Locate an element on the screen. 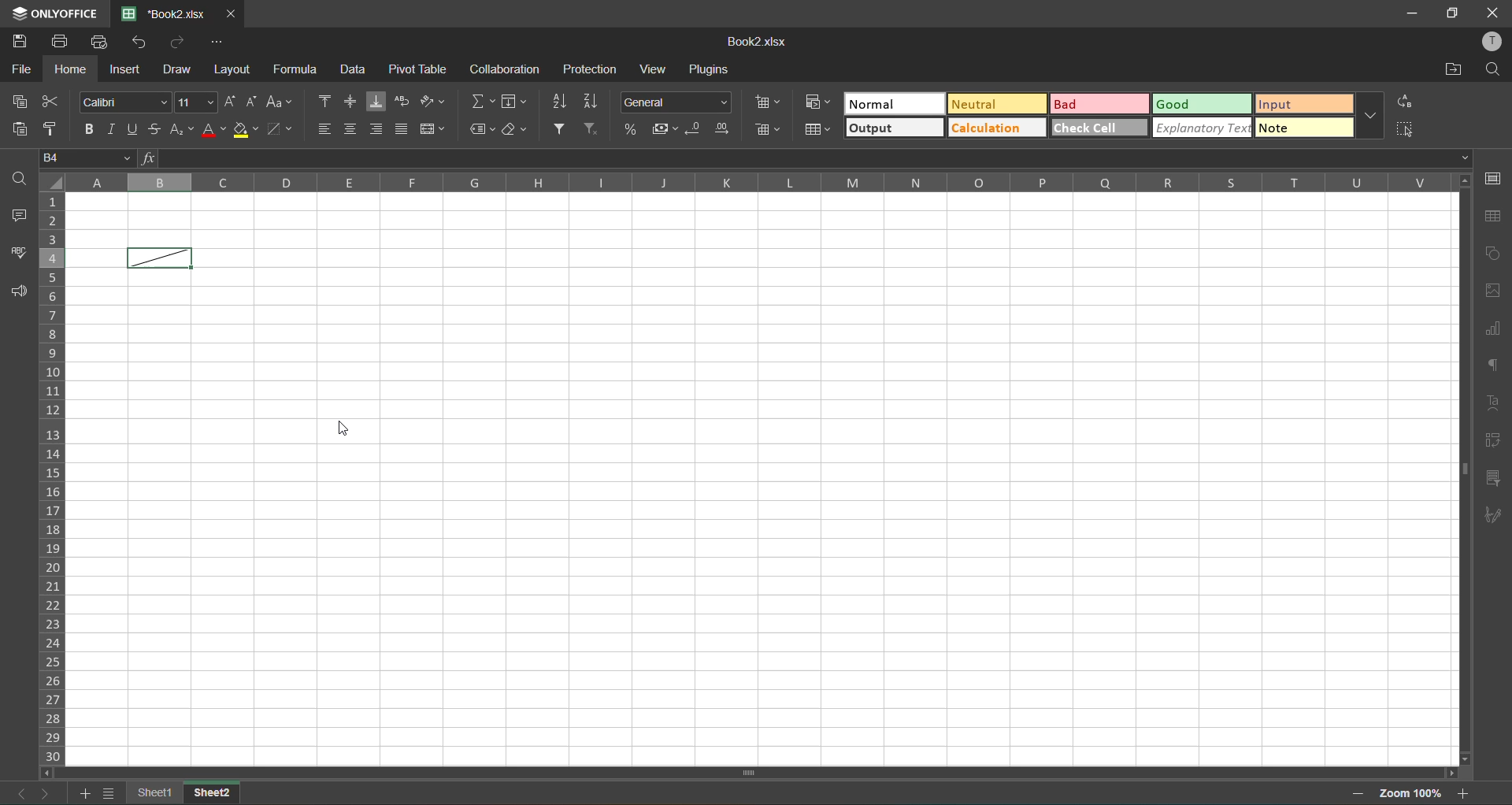  redo is located at coordinates (179, 43).